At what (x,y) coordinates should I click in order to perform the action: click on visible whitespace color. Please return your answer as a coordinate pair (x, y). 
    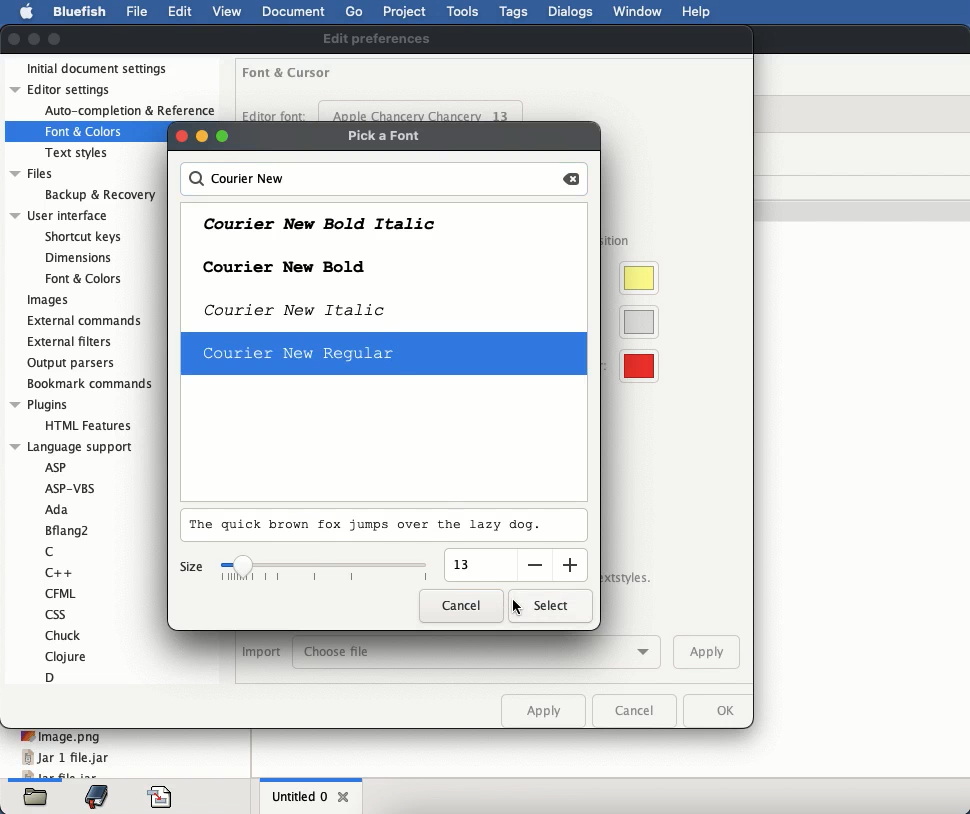
    Looking at the image, I should click on (641, 365).